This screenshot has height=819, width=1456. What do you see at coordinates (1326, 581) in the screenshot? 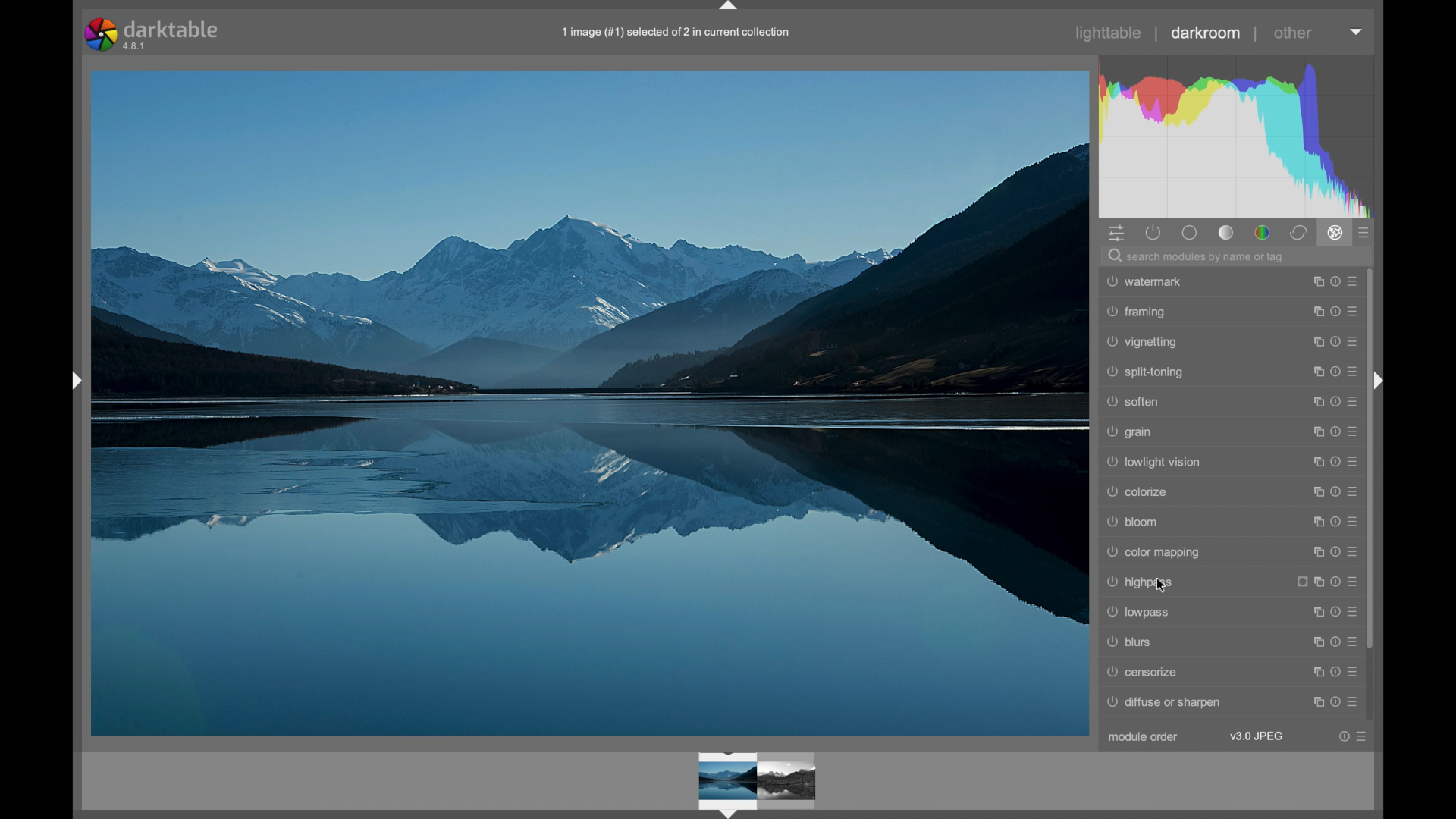
I see `more options` at bounding box center [1326, 581].